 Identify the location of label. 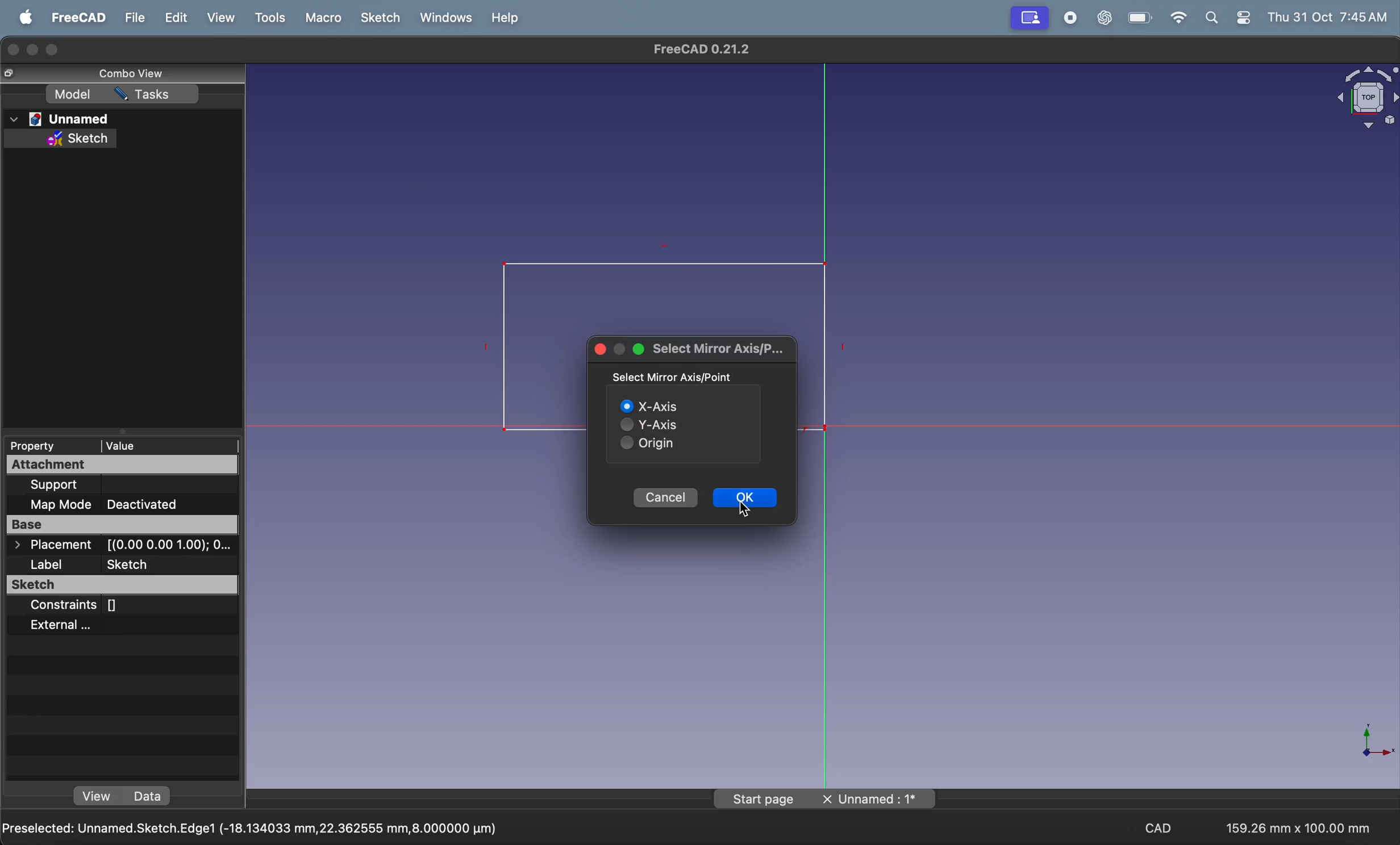
(124, 564).